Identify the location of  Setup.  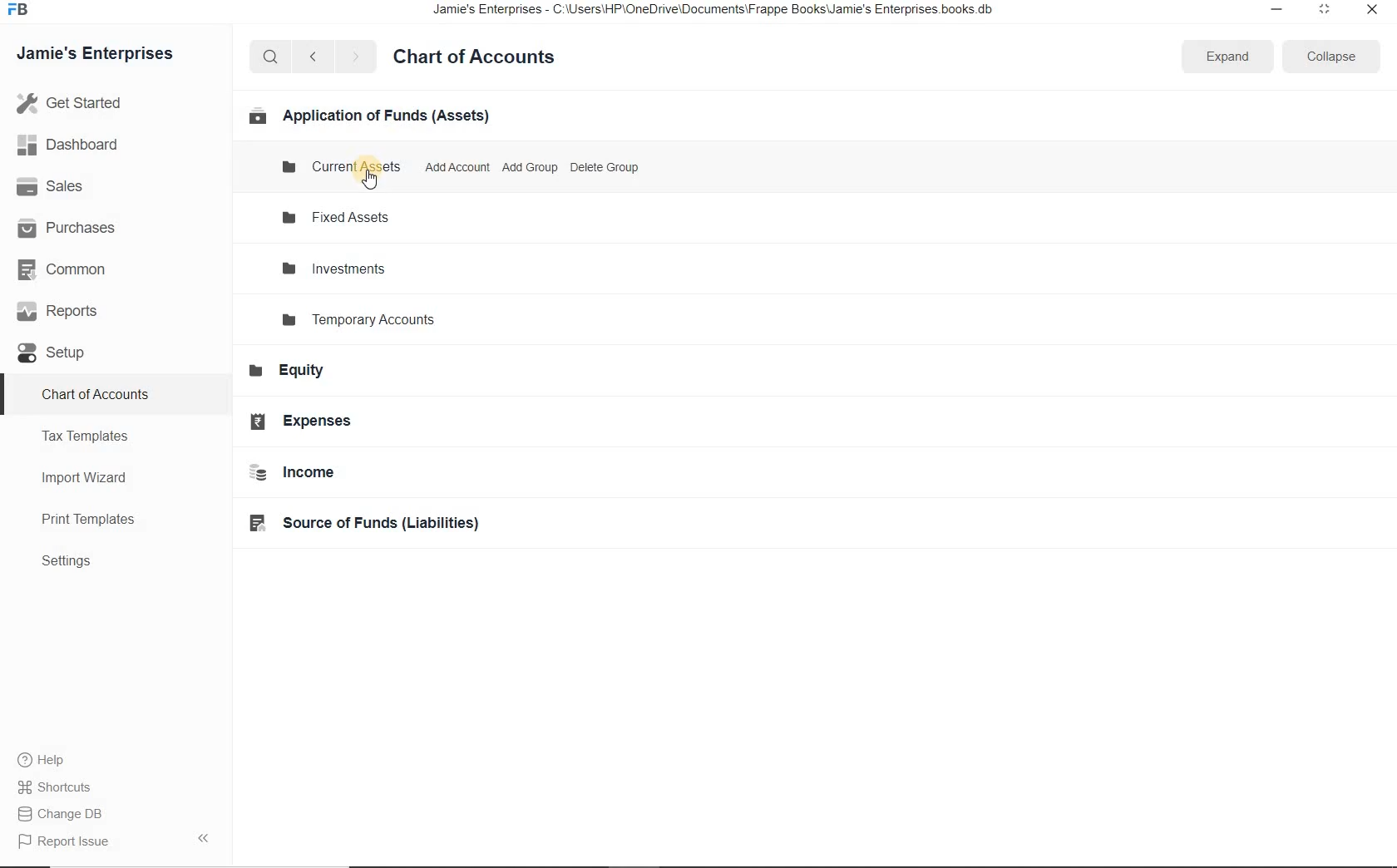
(63, 354).